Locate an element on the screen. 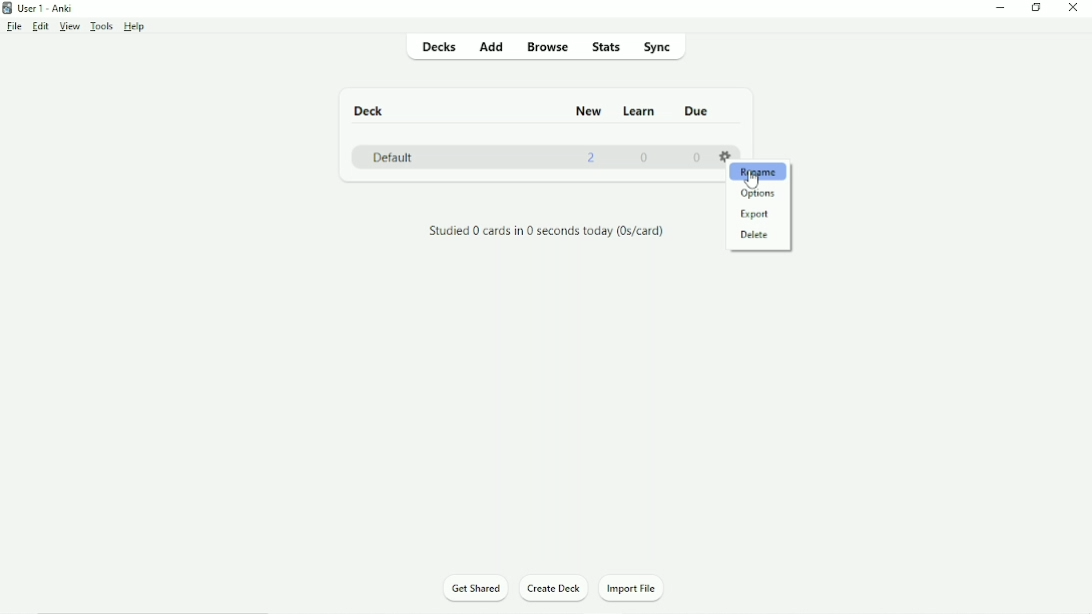 The image size is (1092, 614). Delete is located at coordinates (756, 236).